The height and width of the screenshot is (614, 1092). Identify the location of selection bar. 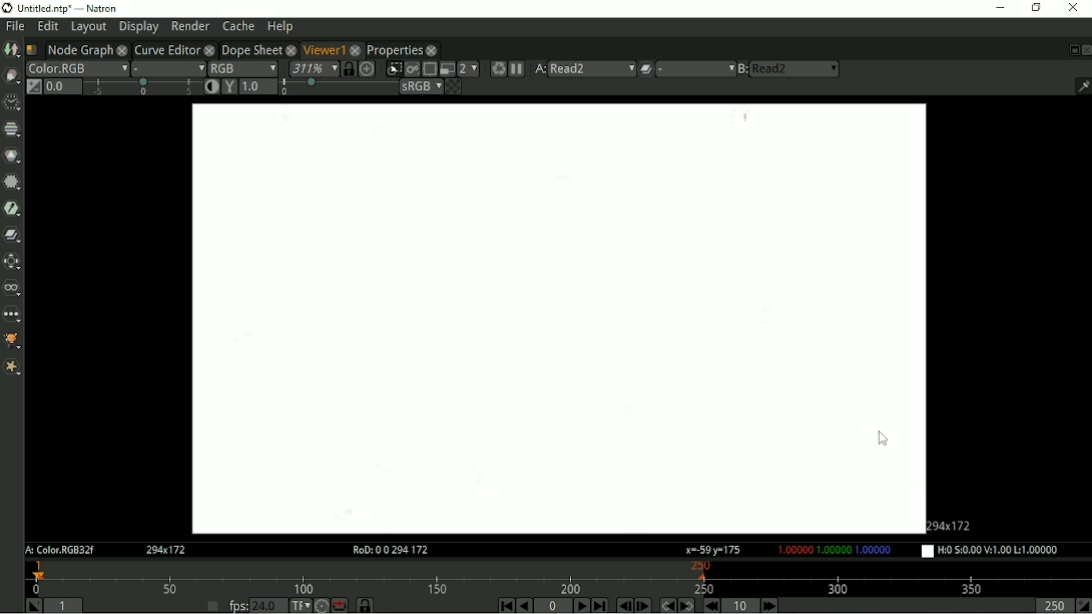
(142, 87).